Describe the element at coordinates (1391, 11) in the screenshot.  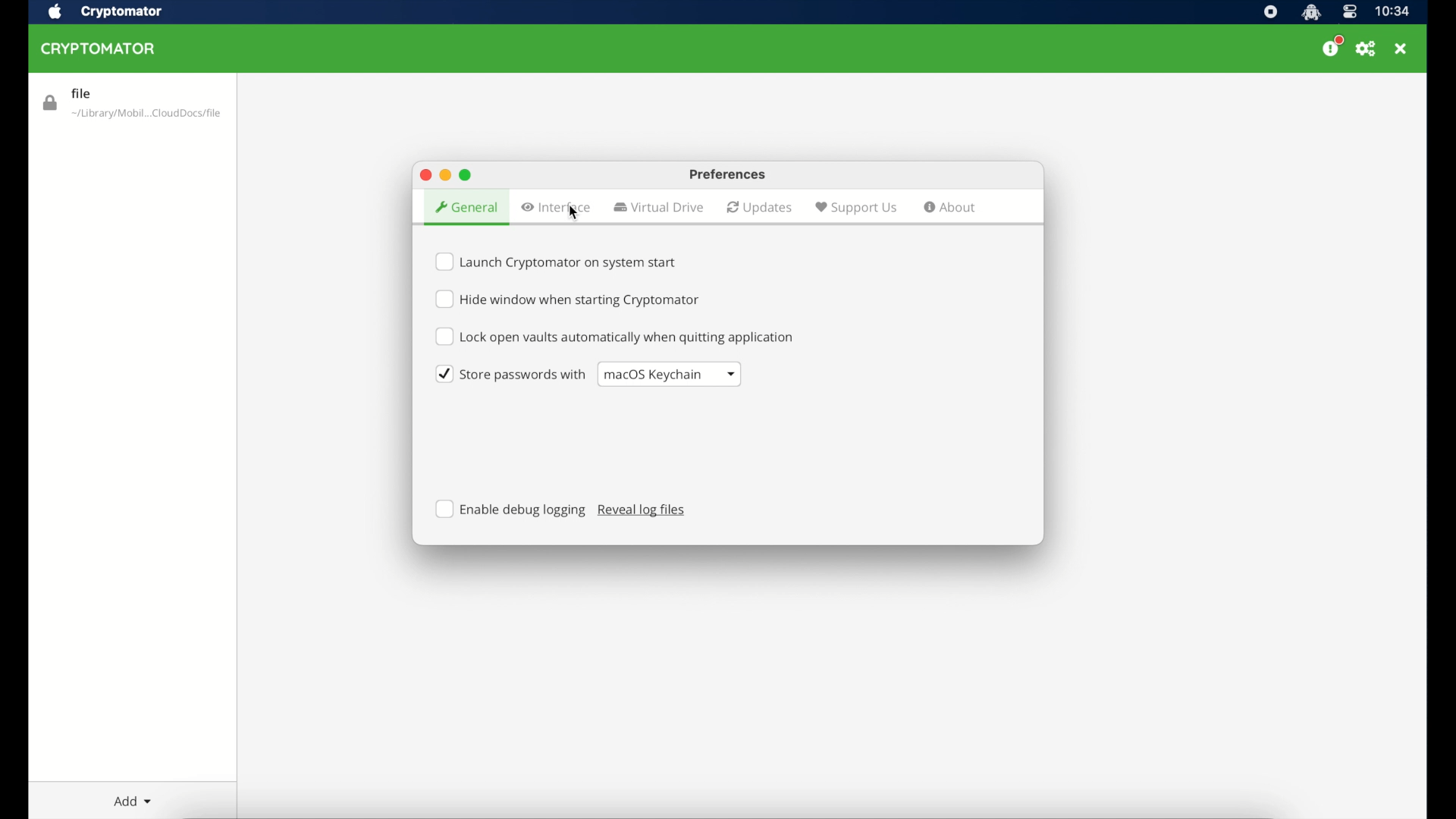
I see `time` at that location.